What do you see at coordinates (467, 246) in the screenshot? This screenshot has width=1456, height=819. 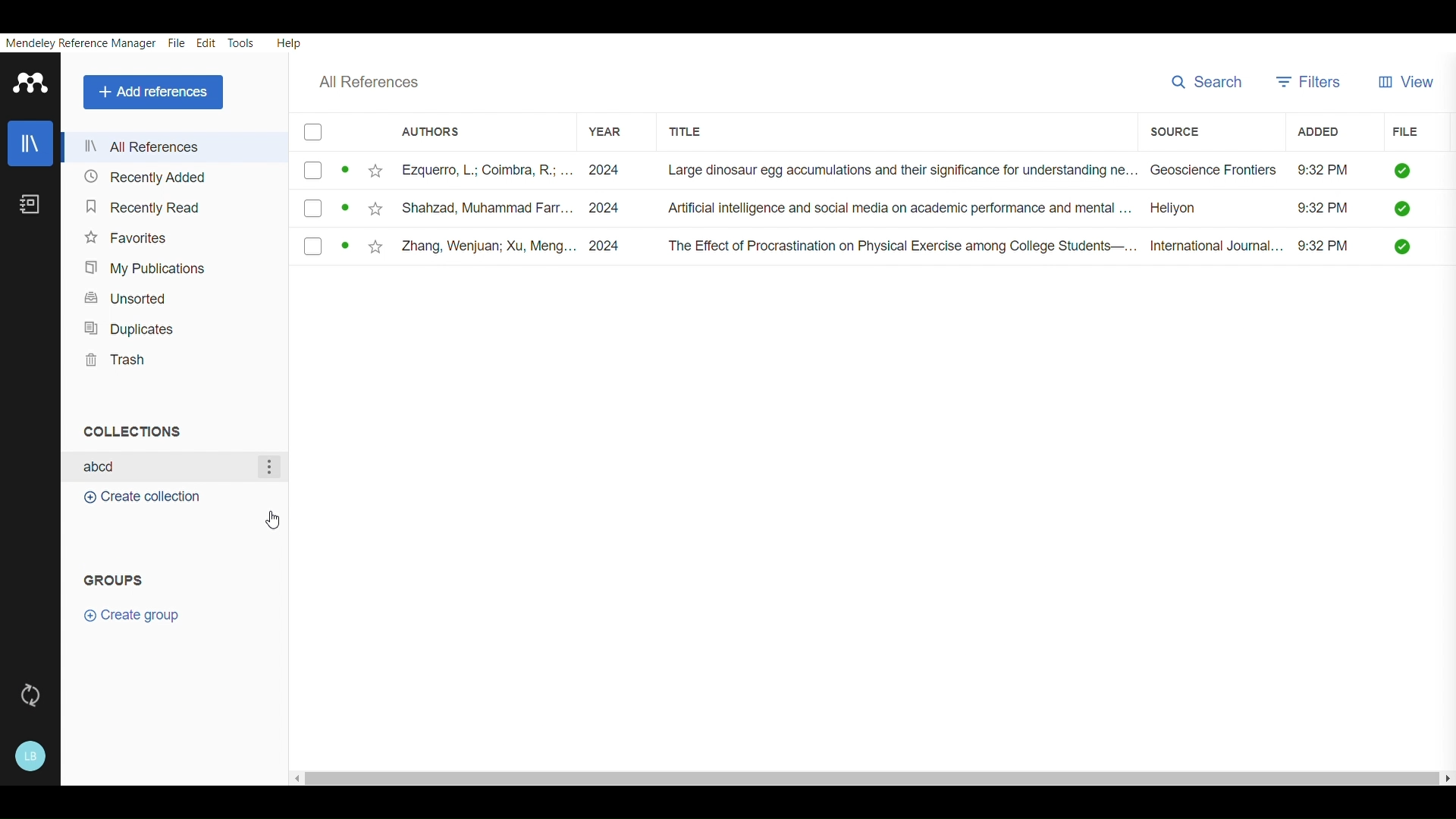 I see `Zhang, Wenjuan; Xu, Meng...` at bounding box center [467, 246].